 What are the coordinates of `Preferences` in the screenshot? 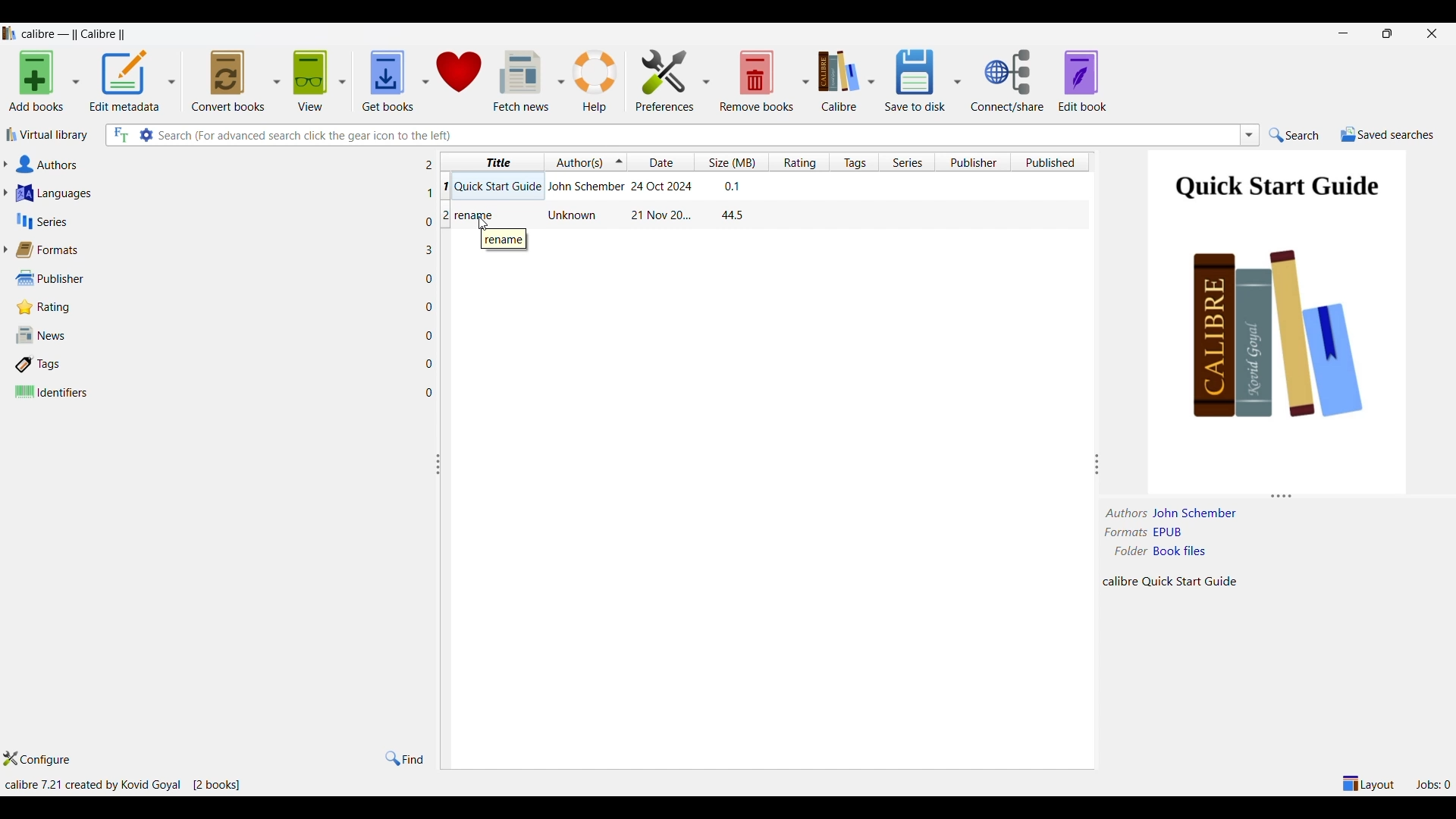 It's located at (665, 80).